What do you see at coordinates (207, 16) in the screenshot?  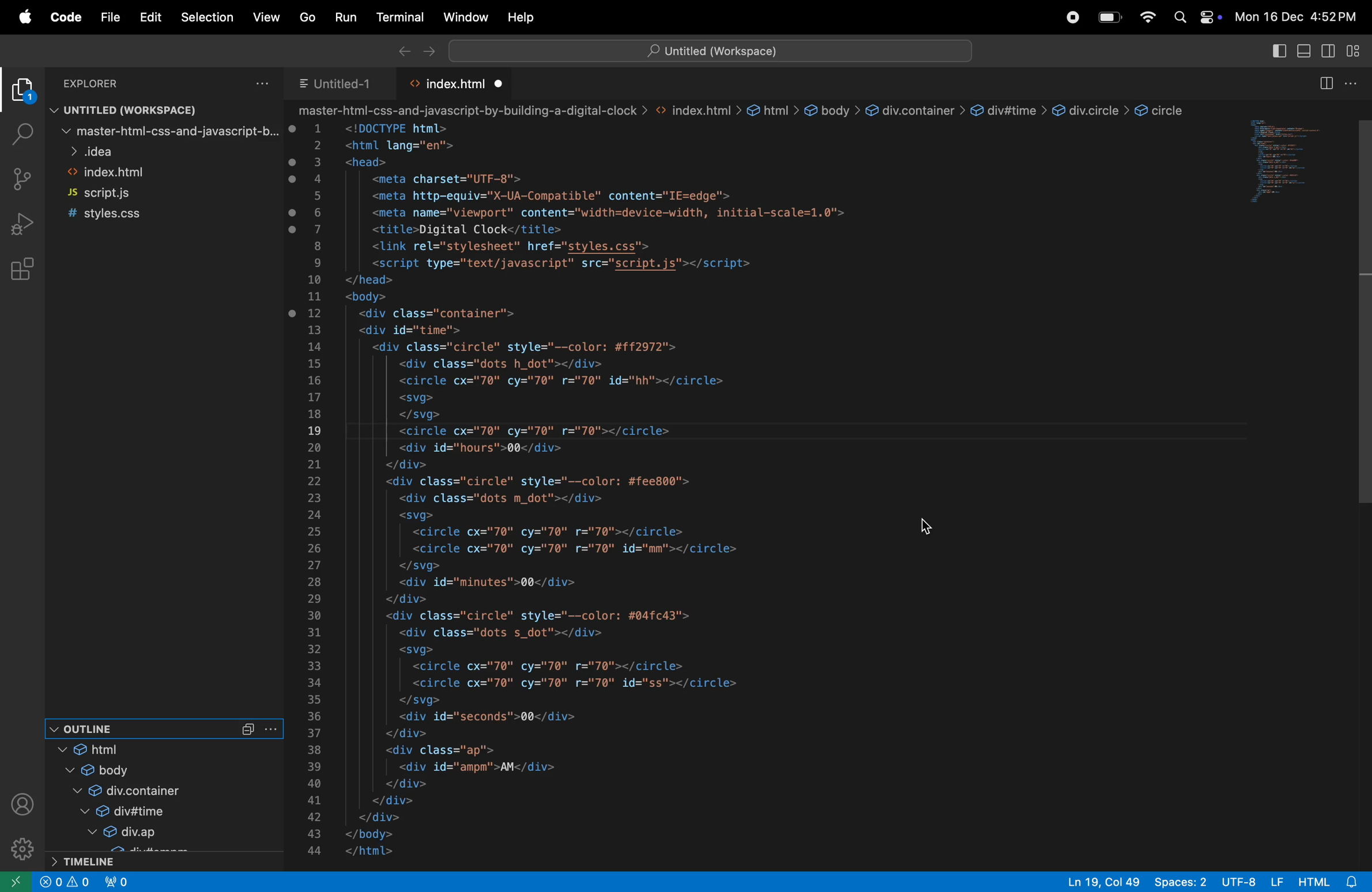 I see `selection` at bounding box center [207, 16].